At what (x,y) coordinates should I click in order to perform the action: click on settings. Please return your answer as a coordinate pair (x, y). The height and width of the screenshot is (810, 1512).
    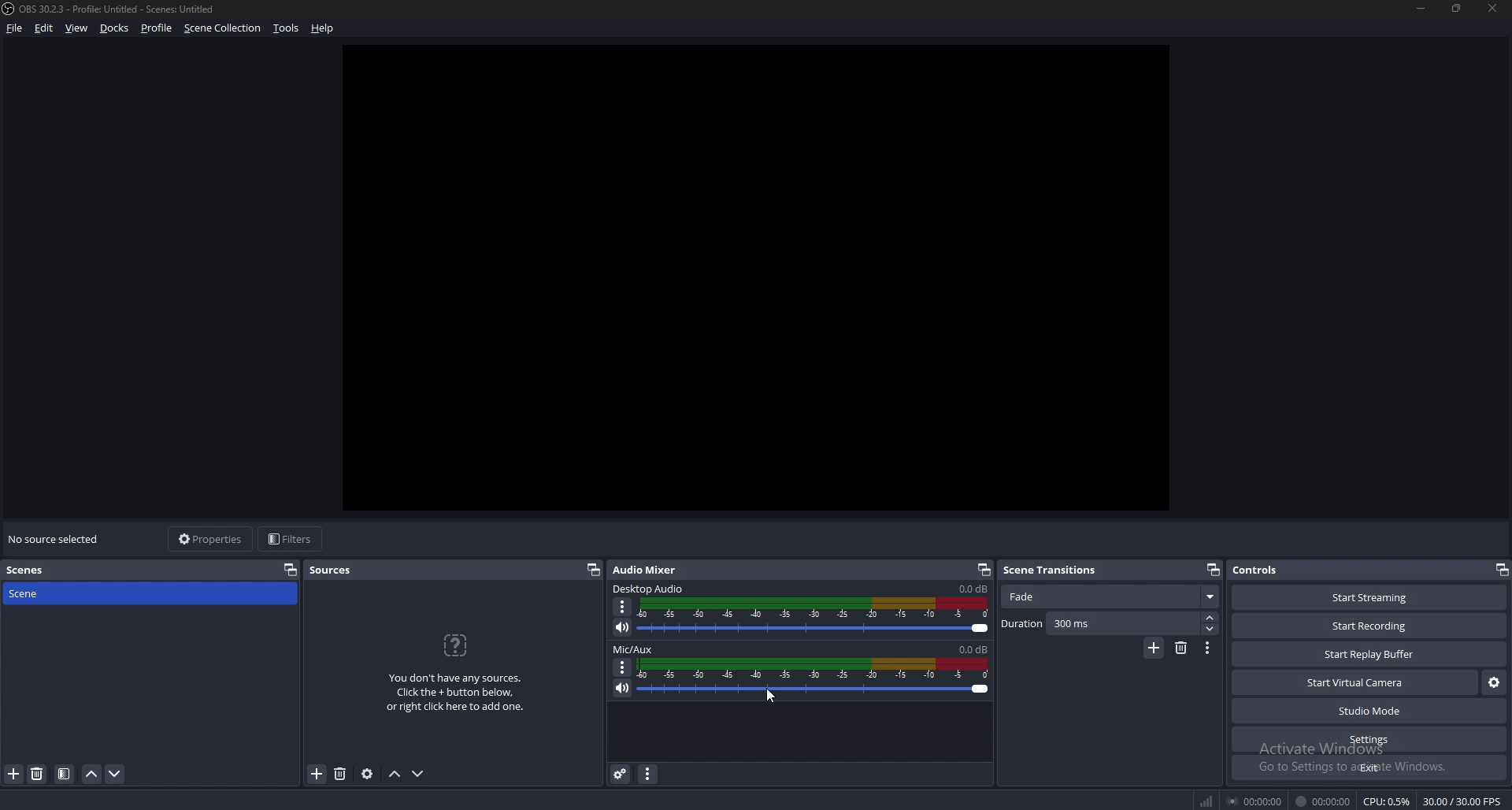
    Looking at the image, I should click on (1367, 739).